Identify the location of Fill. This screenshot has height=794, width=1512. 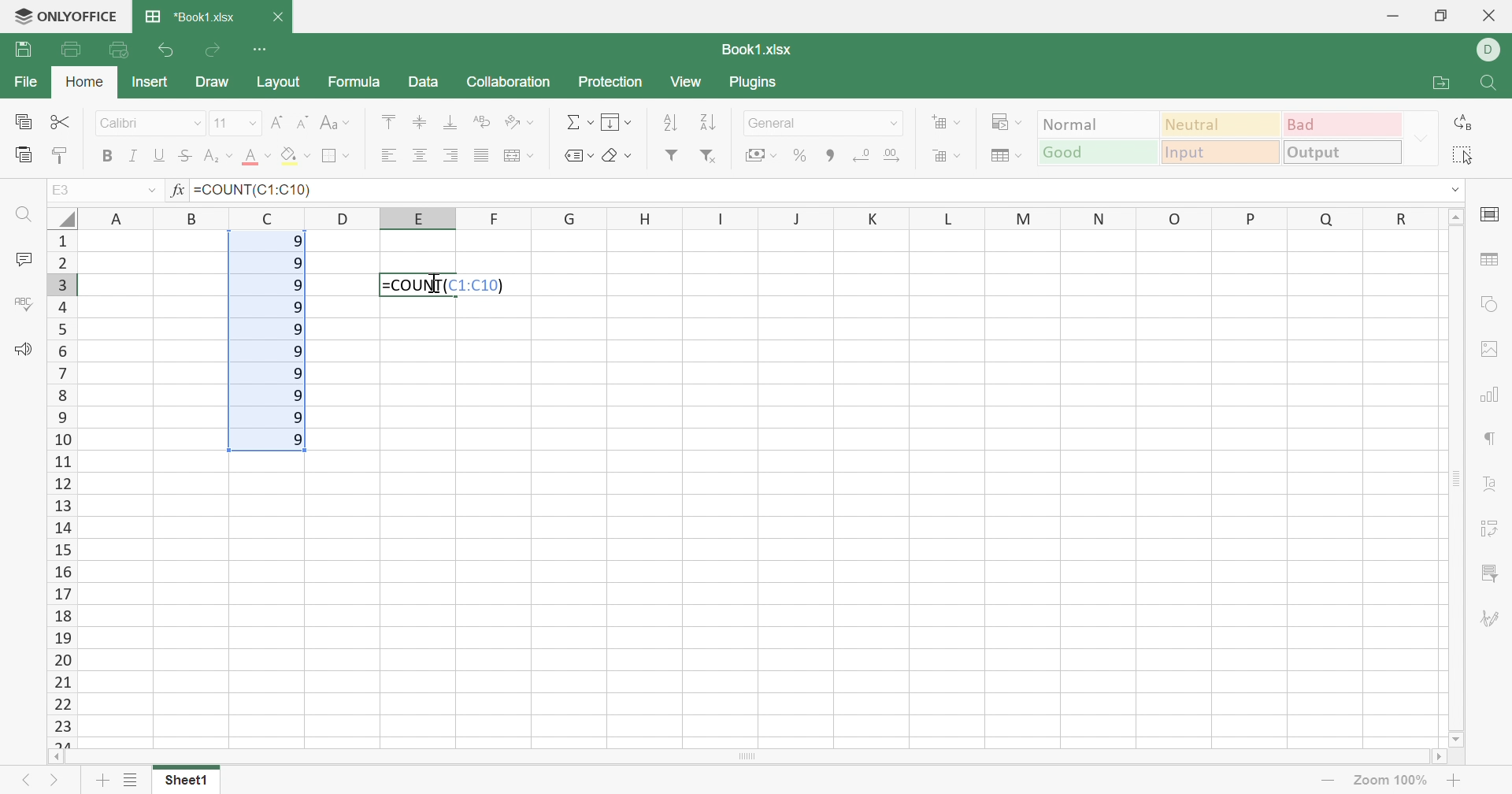
(617, 121).